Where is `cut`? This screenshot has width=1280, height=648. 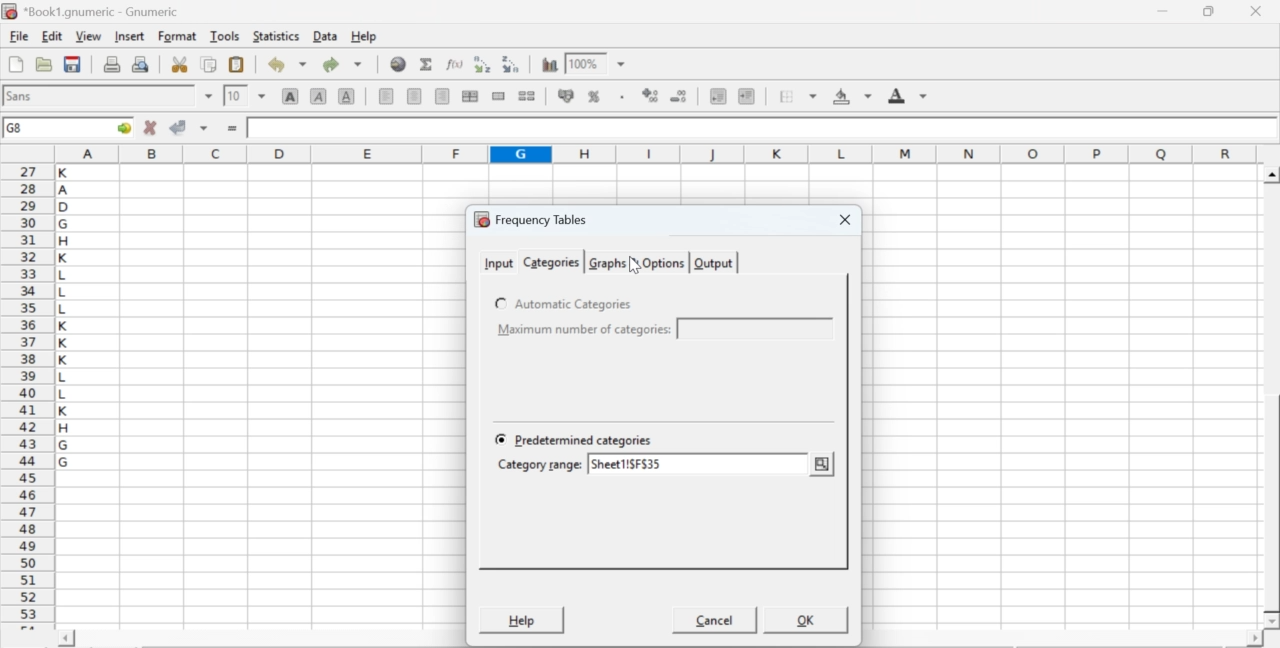
cut is located at coordinates (179, 64).